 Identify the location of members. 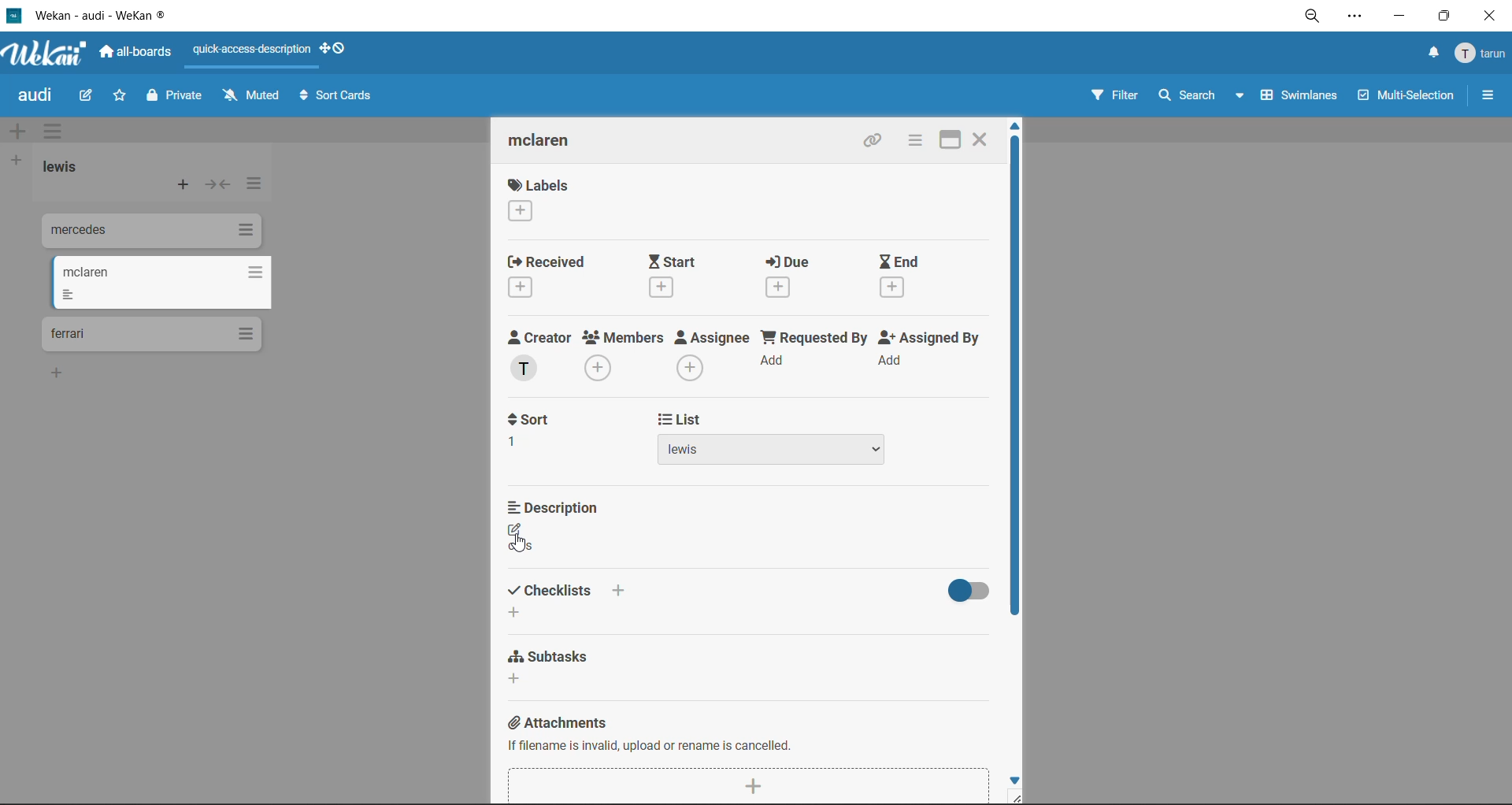
(626, 358).